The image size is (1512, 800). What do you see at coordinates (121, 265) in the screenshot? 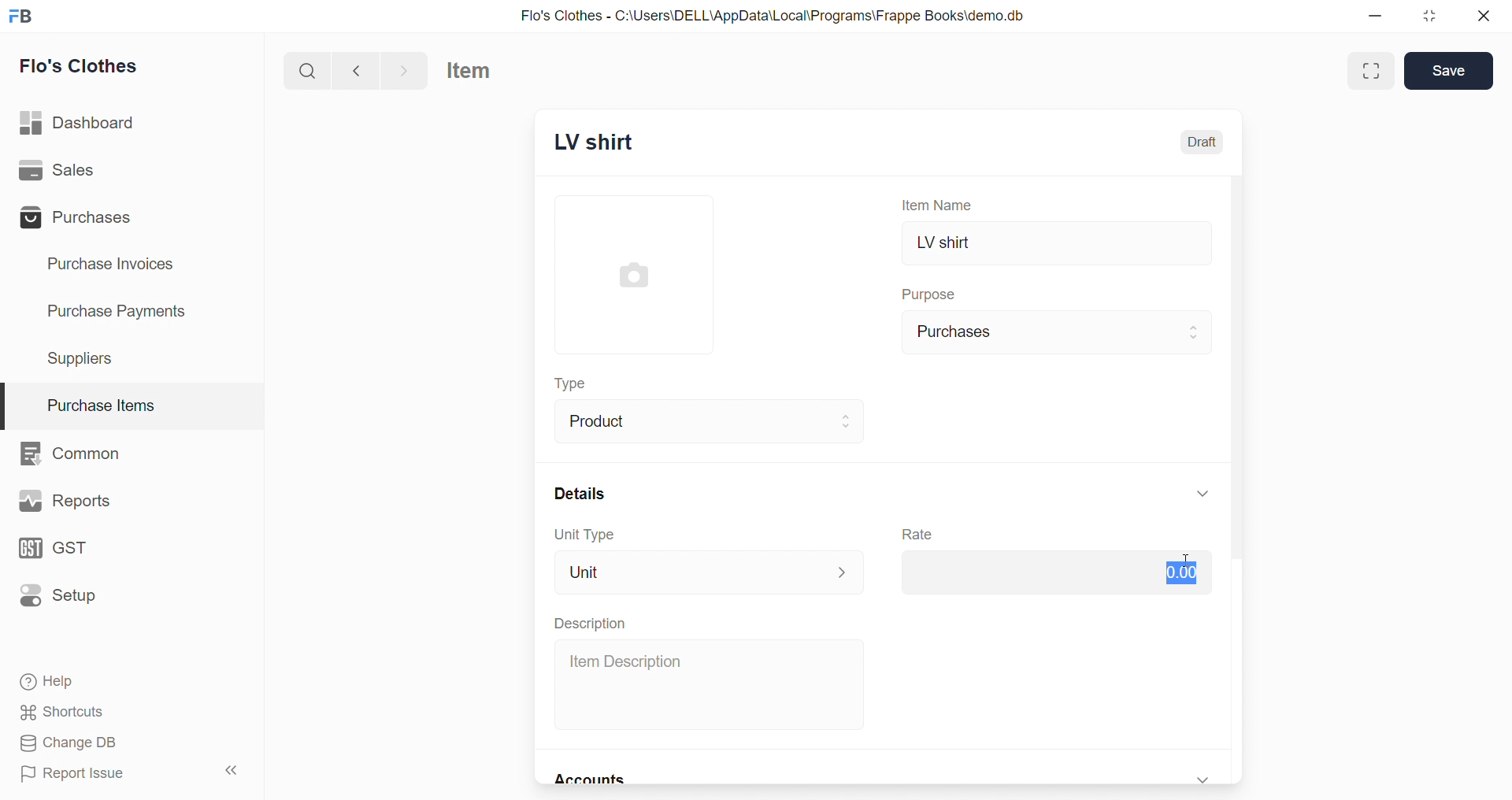
I see `Purchase Invoices` at bounding box center [121, 265].